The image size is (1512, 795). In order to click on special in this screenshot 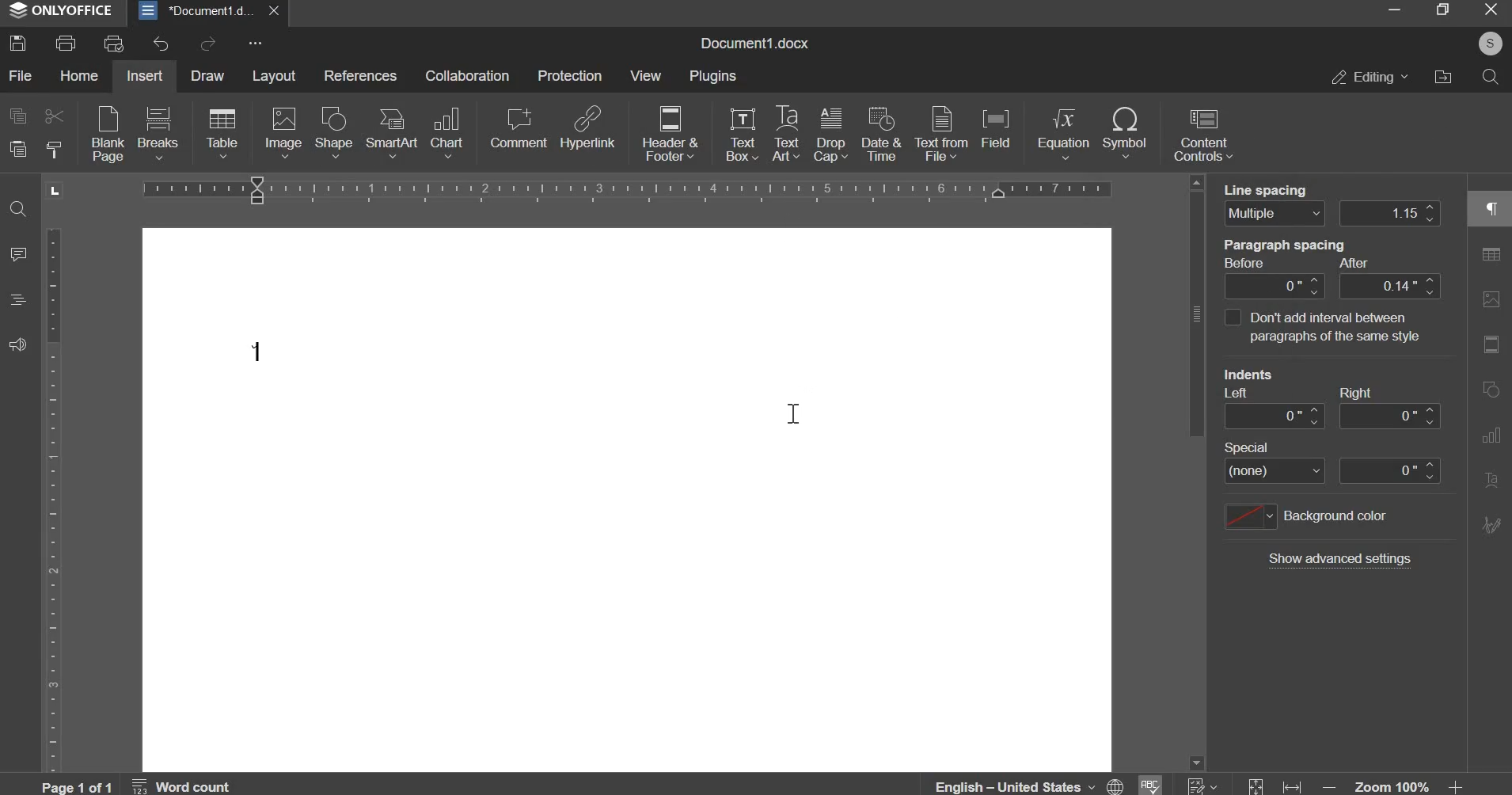, I will do `click(1332, 471)`.